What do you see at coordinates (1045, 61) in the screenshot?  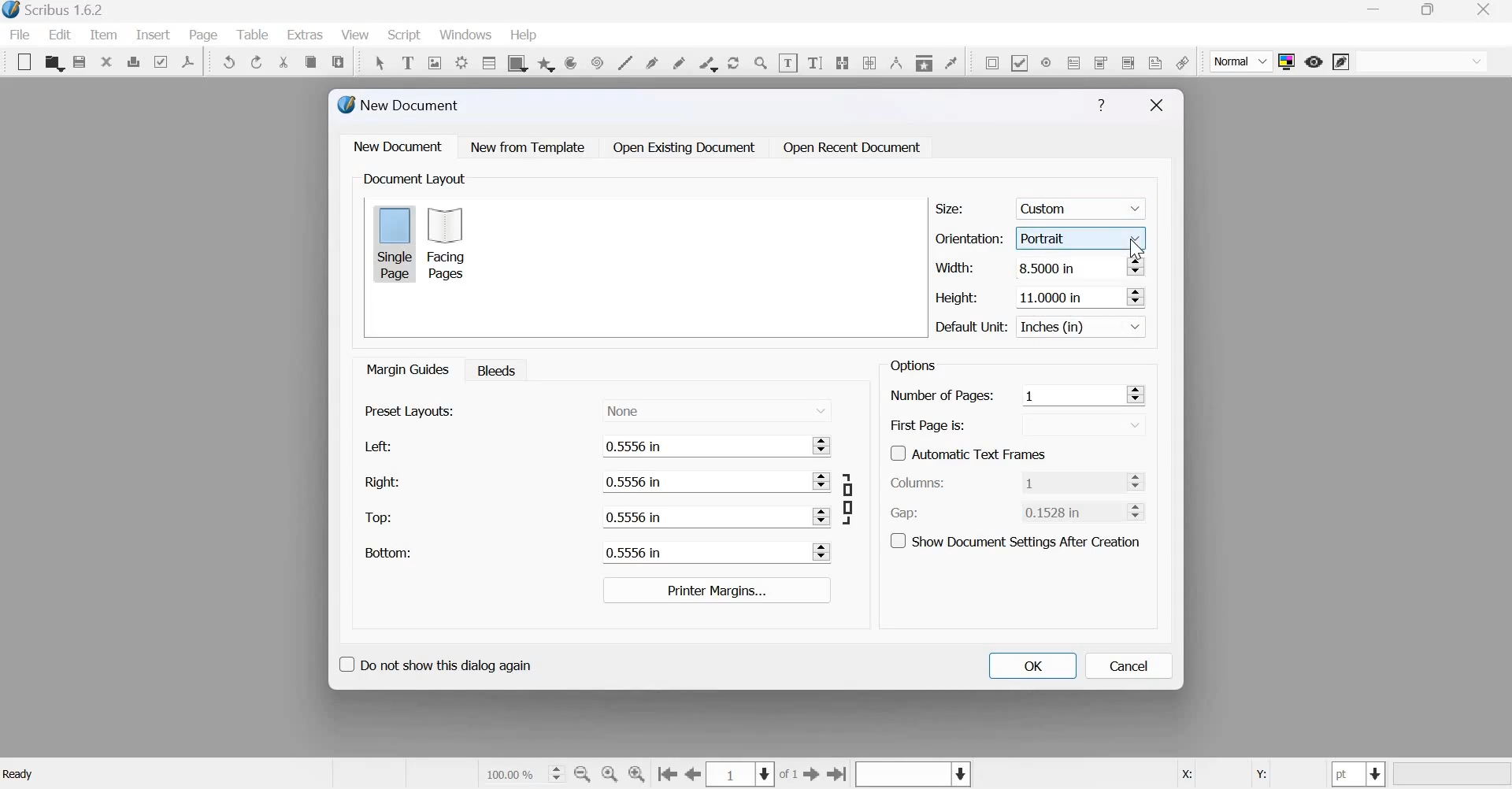 I see `PDF radio button` at bounding box center [1045, 61].